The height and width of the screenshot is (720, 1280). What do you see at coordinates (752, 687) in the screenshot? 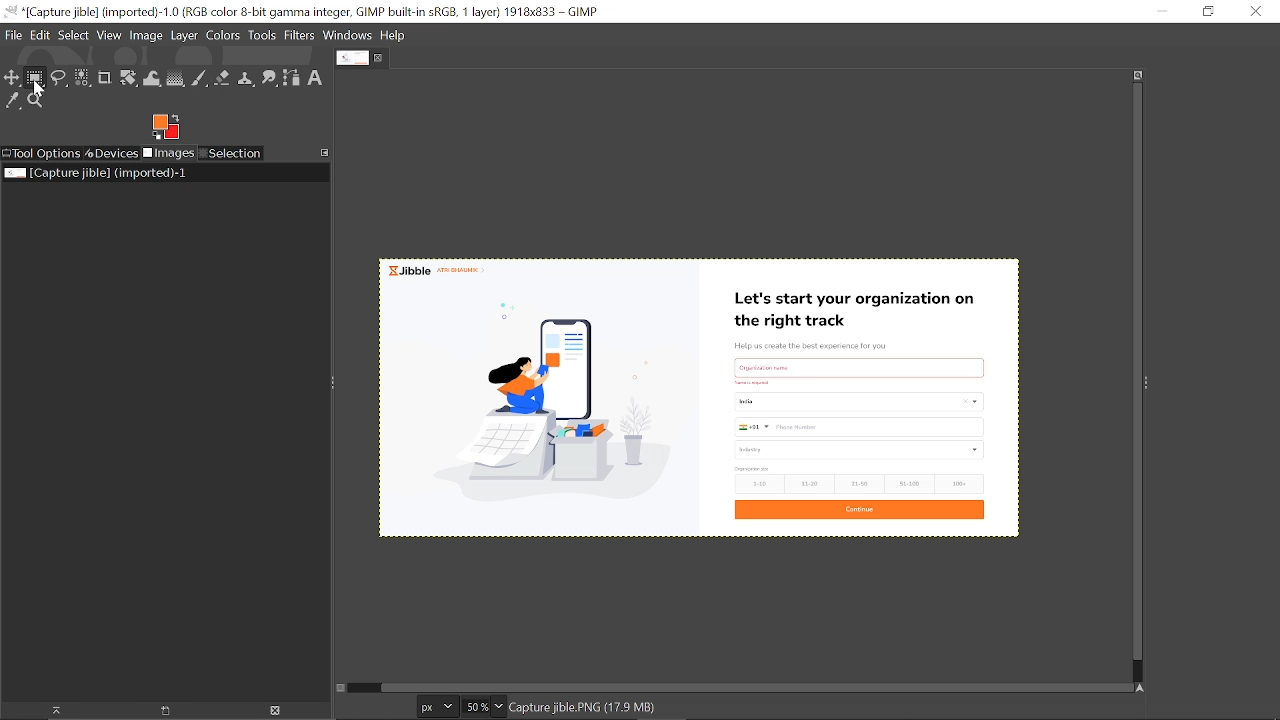
I see `Horizontal scrollbar` at bounding box center [752, 687].